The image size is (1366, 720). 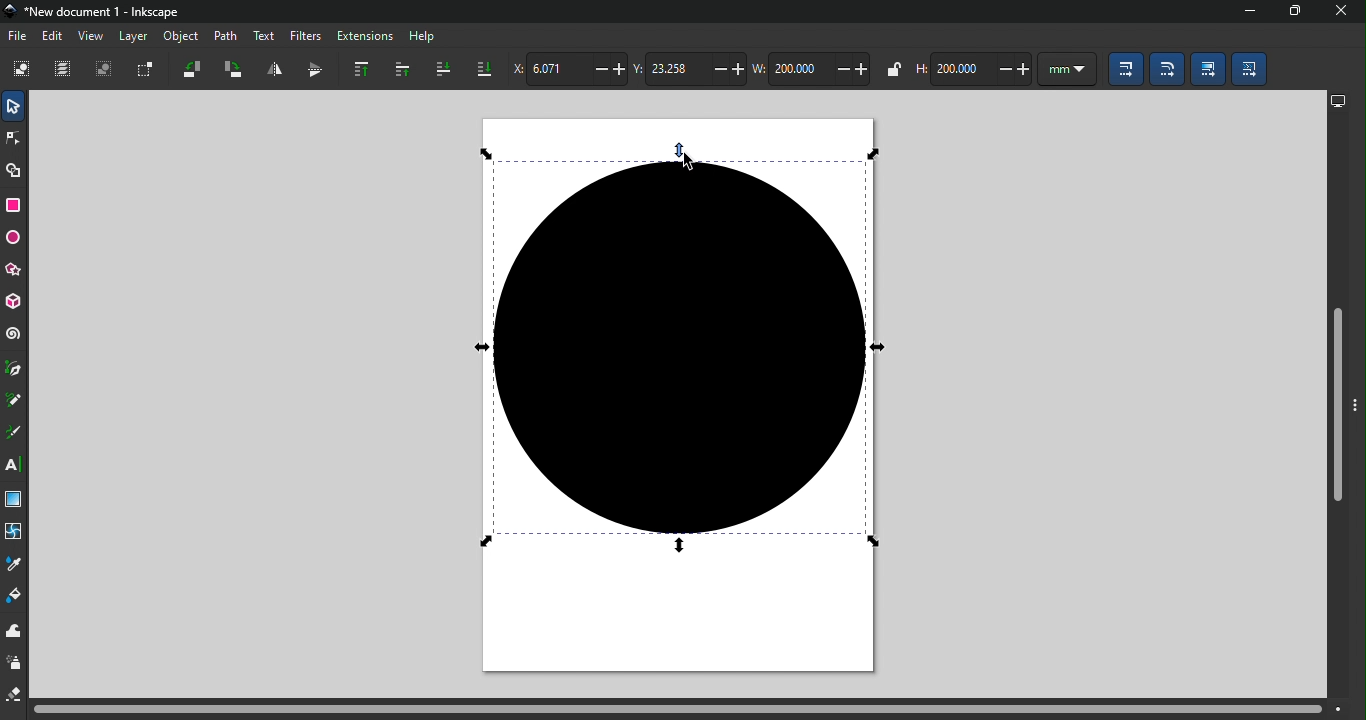 What do you see at coordinates (1128, 71) in the screenshot?
I see `When scaling objects, scale the stroke width by the same proportion` at bounding box center [1128, 71].